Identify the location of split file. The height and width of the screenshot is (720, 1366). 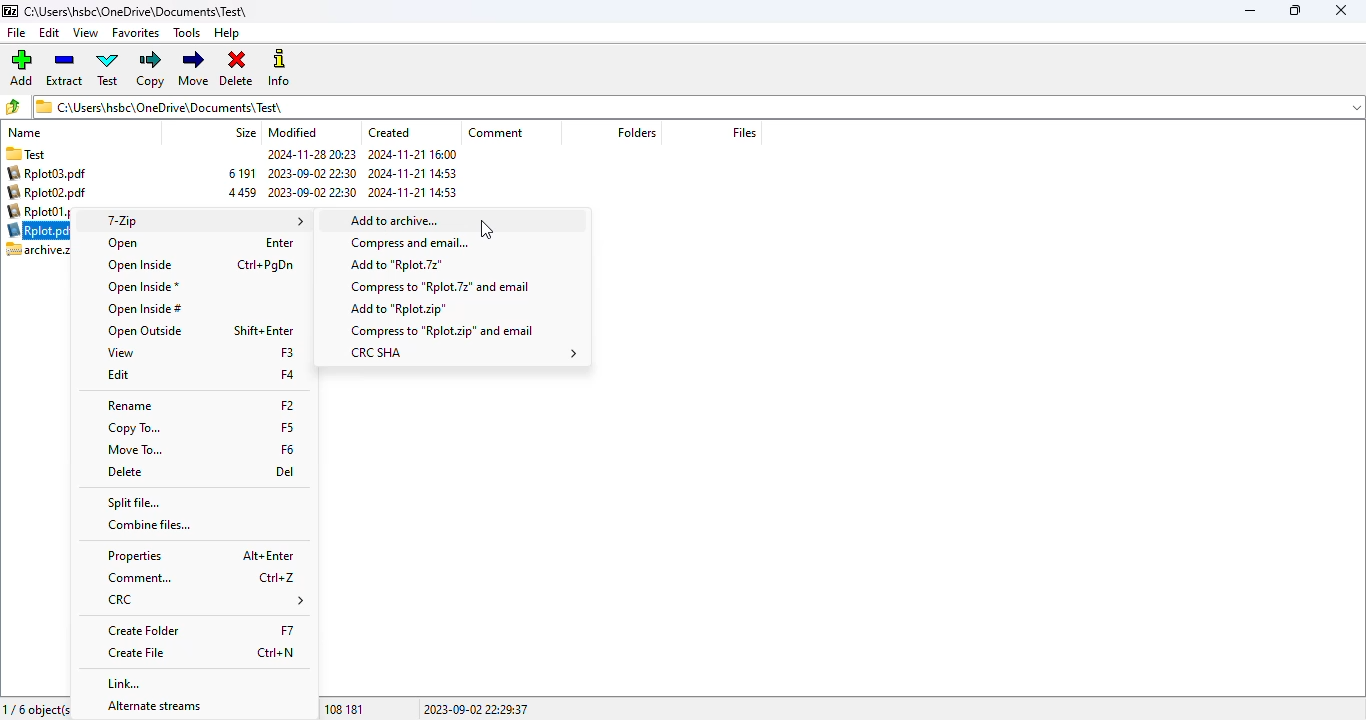
(134, 503).